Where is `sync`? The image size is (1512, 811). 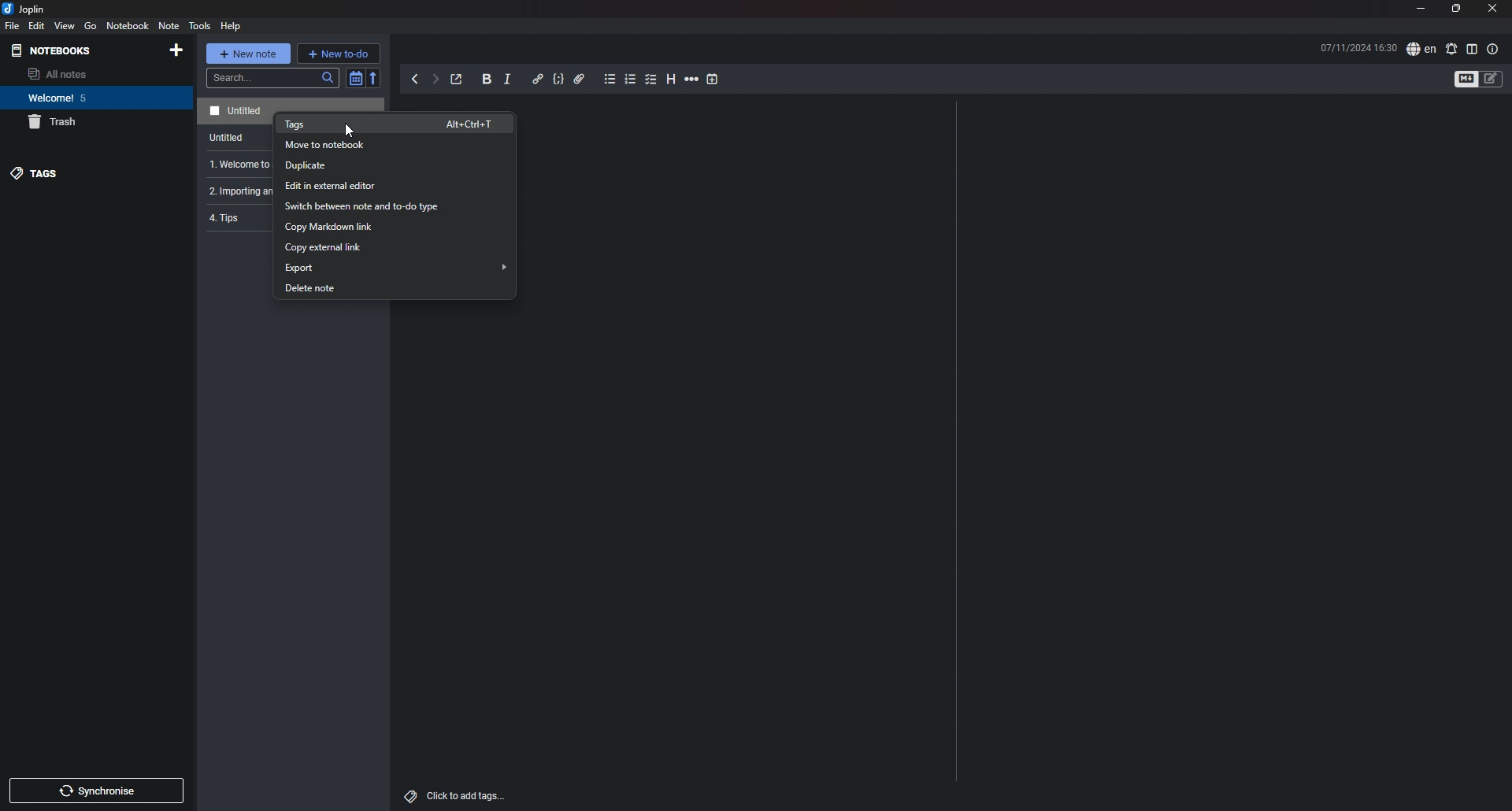 sync is located at coordinates (96, 791).